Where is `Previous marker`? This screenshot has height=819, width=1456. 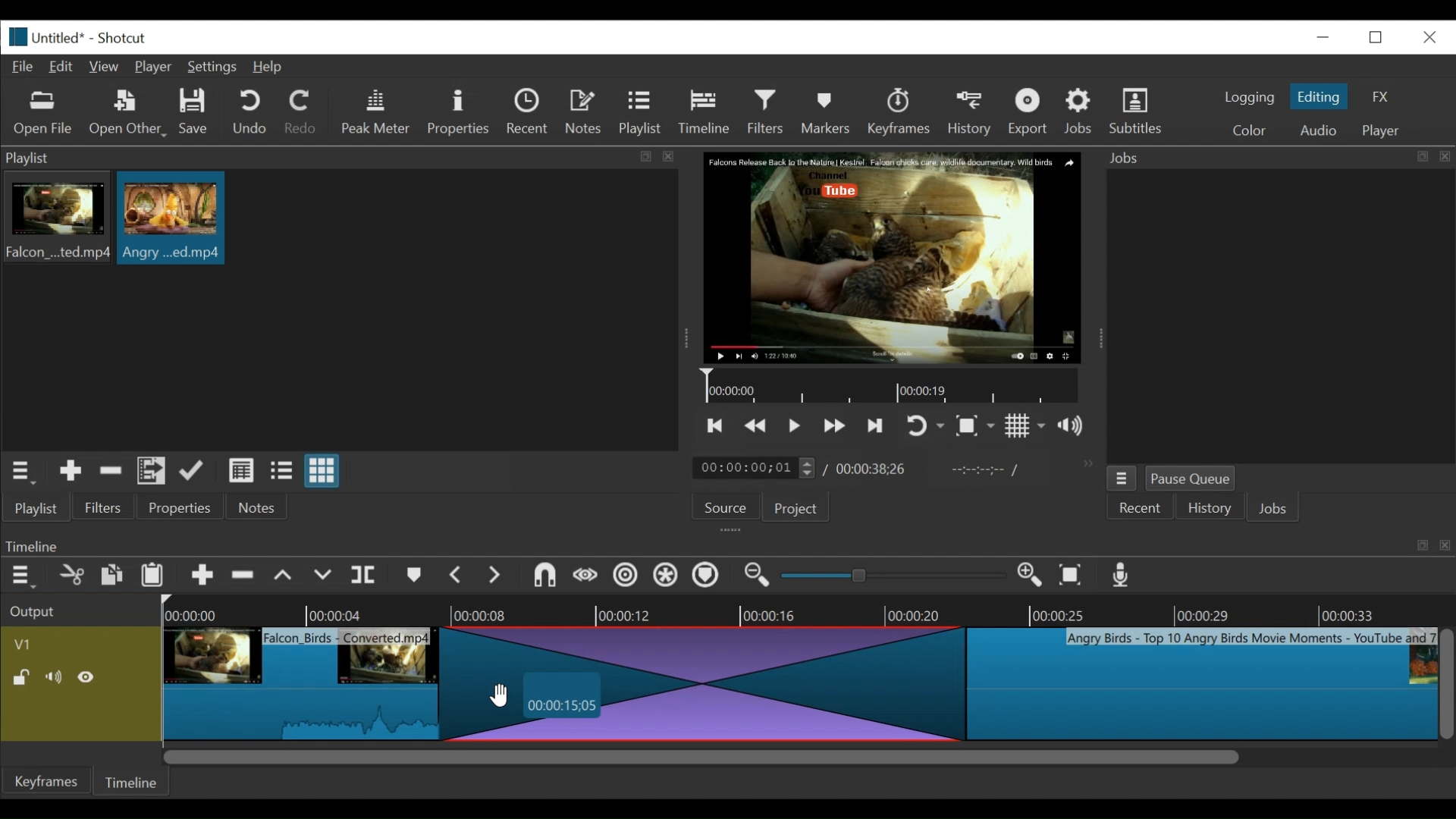 Previous marker is located at coordinates (457, 578).